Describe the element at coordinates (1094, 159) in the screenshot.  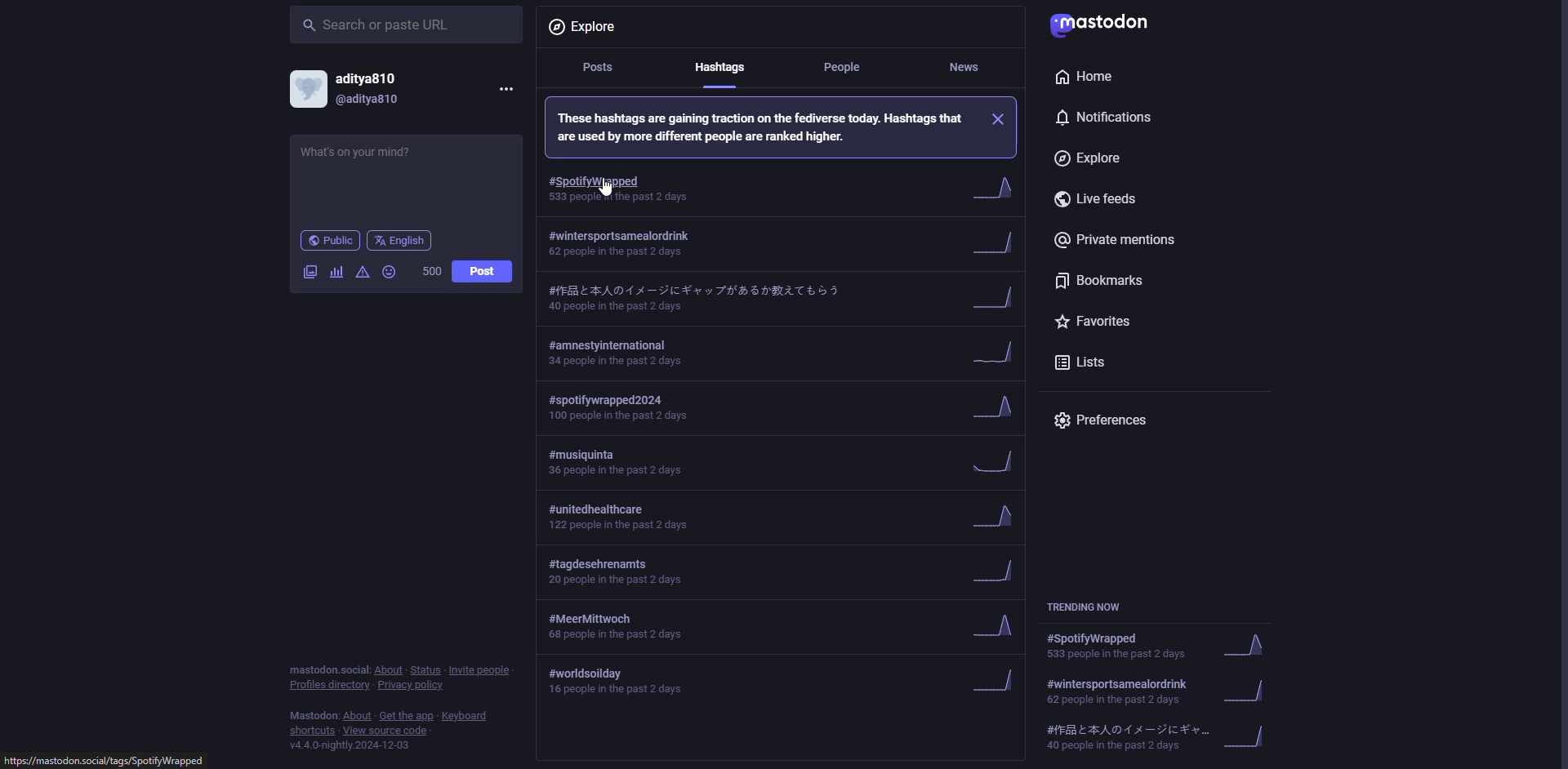
I see `explore` at that location.